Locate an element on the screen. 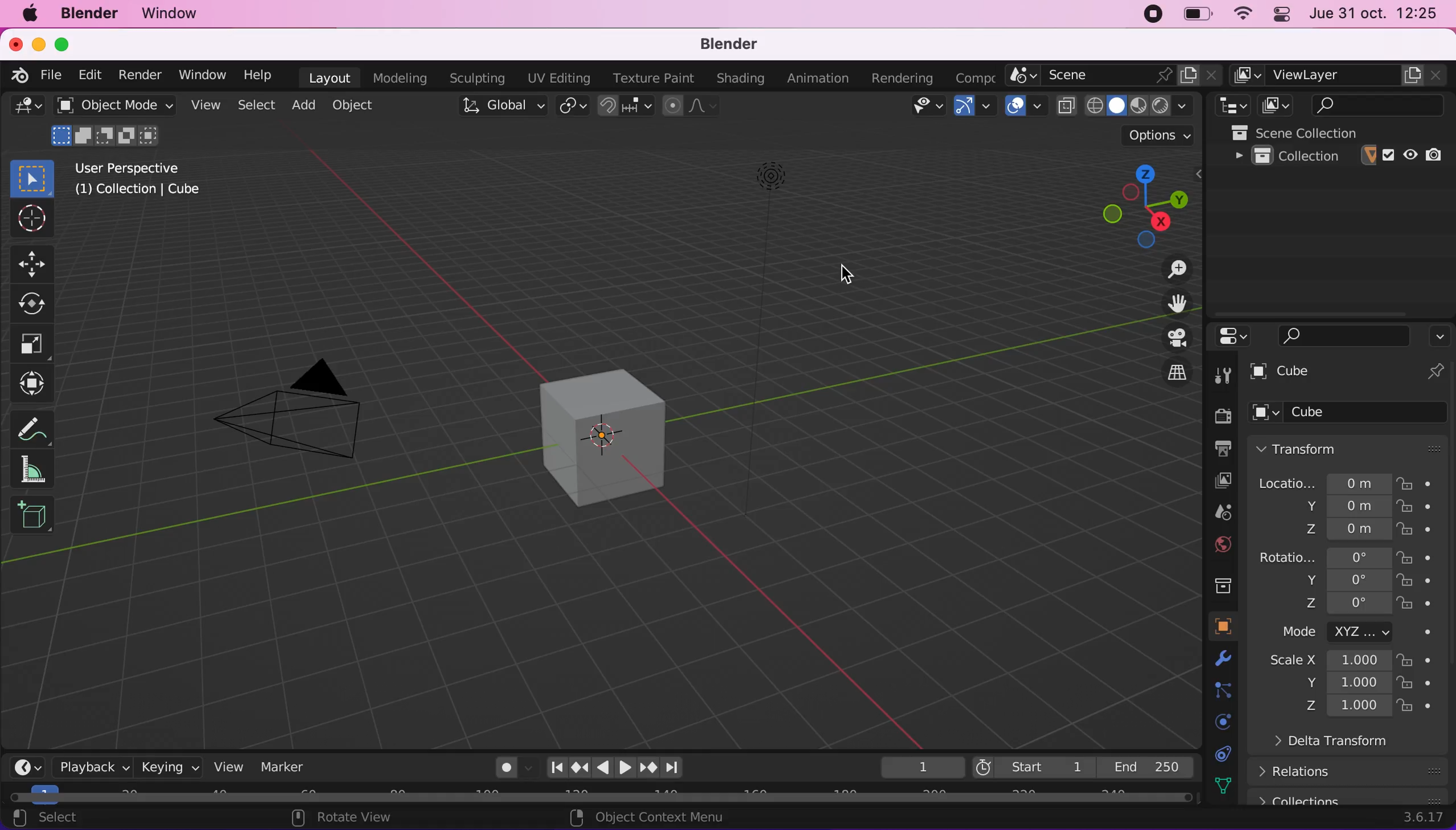 The height and width of the screenshot is (830, 1456). Start 1 is located at coordinates (1032, 765).